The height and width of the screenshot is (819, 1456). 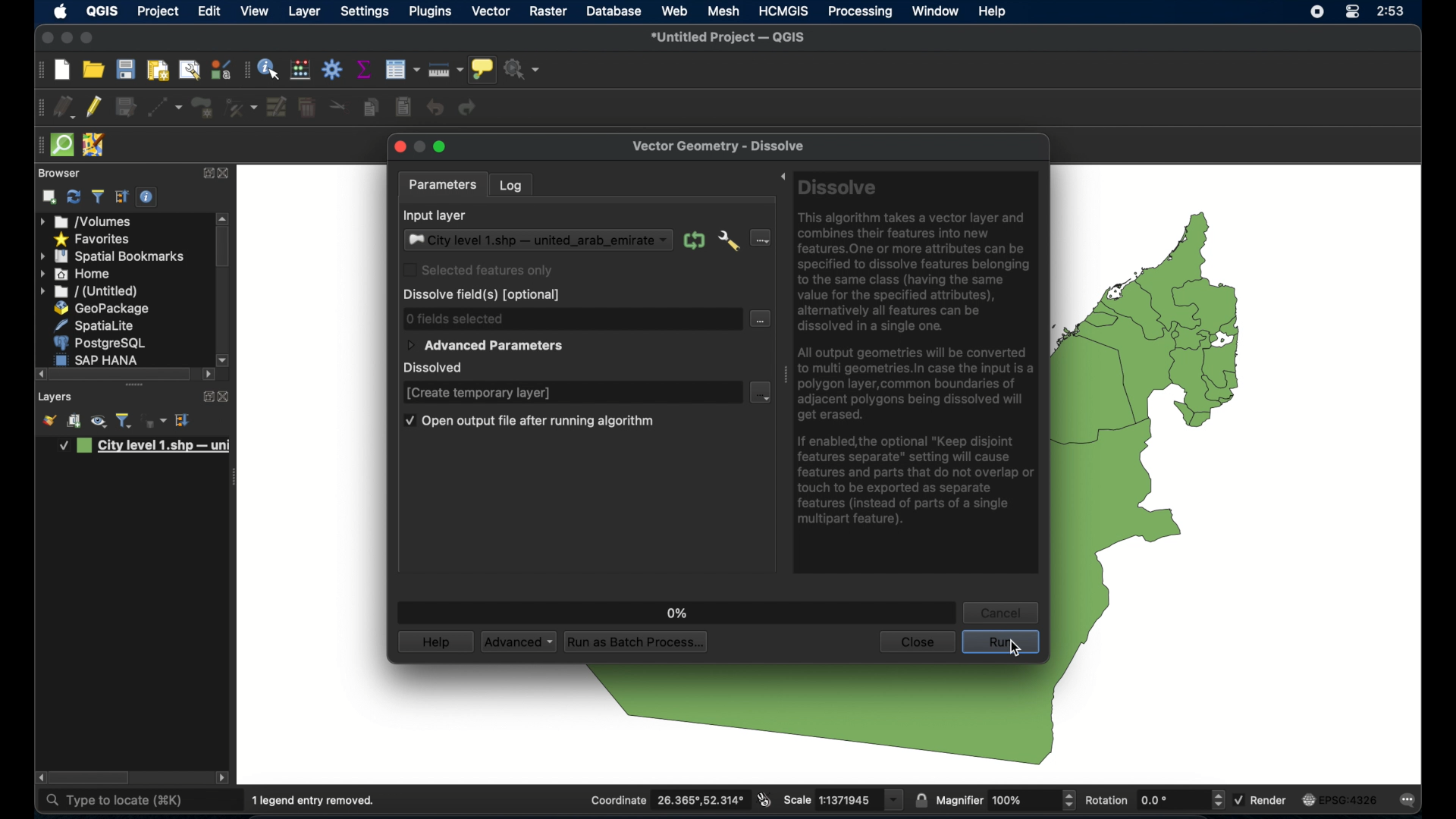 I want to click on current edits, so click(x=64, y=107).